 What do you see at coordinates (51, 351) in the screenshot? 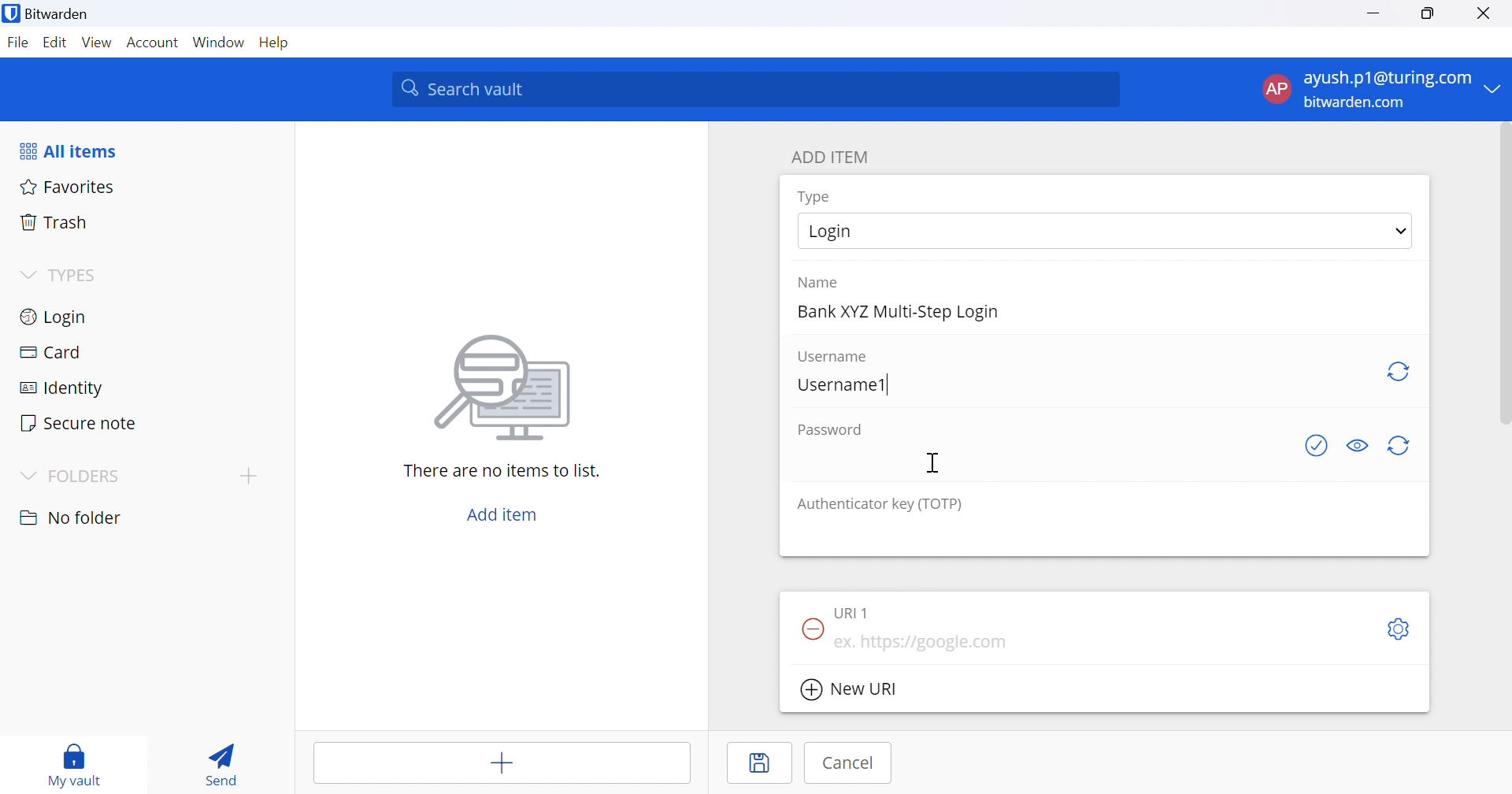
I see `Card` at bounding box center [51, 351].